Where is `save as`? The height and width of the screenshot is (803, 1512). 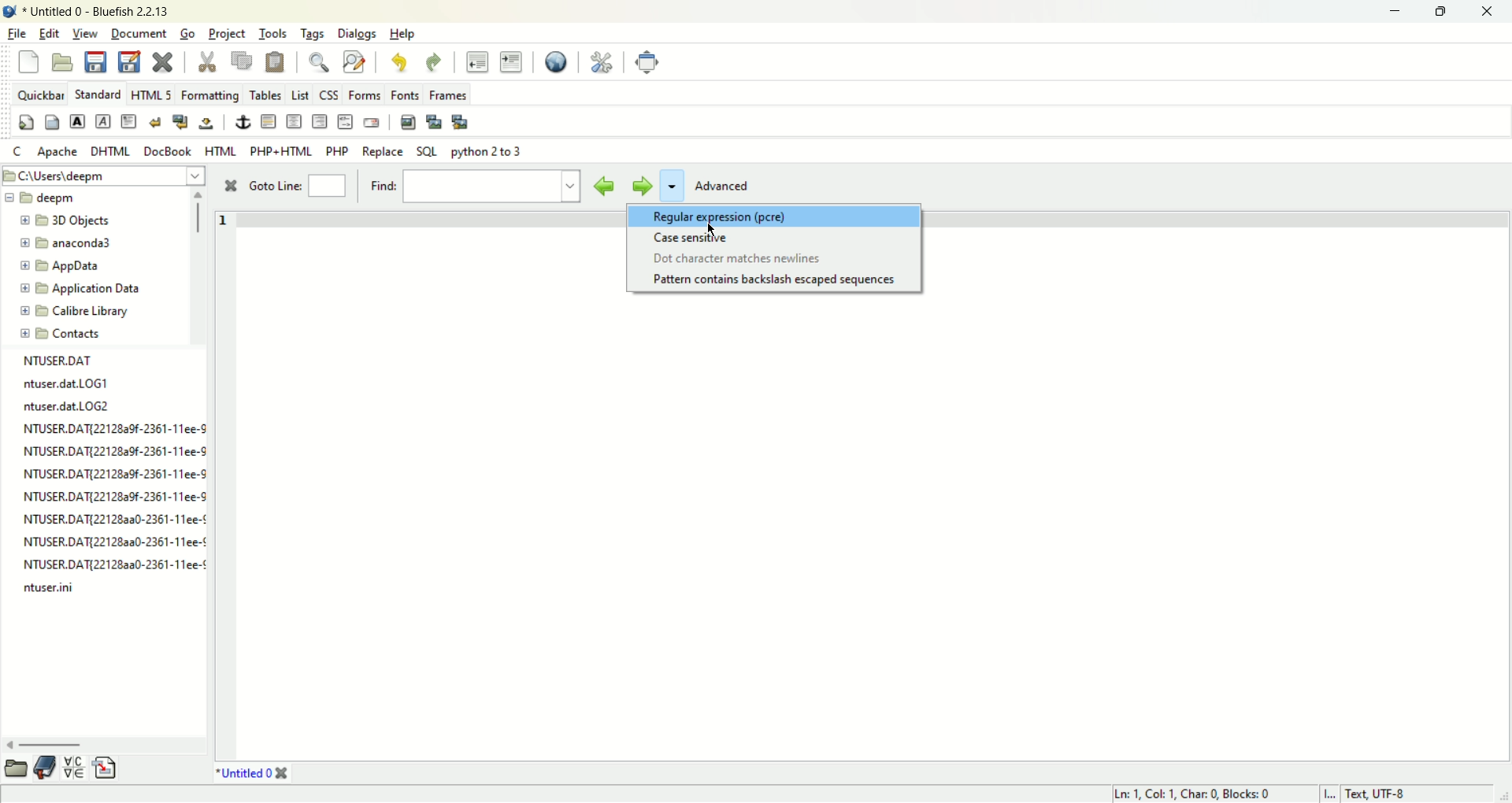 save as is located at coordinates (128, 62).